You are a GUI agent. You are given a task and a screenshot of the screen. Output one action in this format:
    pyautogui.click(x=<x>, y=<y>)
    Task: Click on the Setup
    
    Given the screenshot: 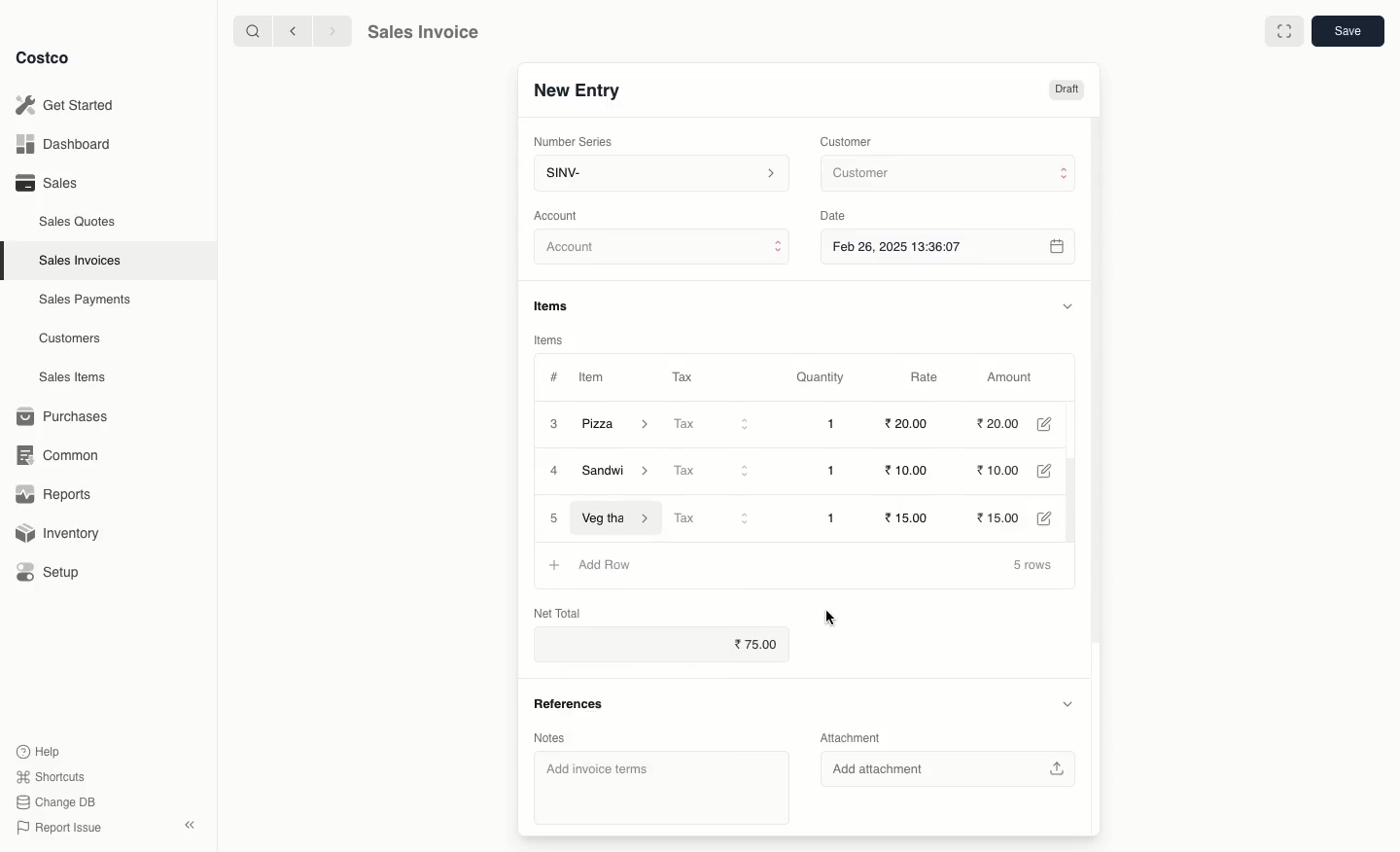 What is the action you would take?
    pyautogui.click(x=55, y=572)
    